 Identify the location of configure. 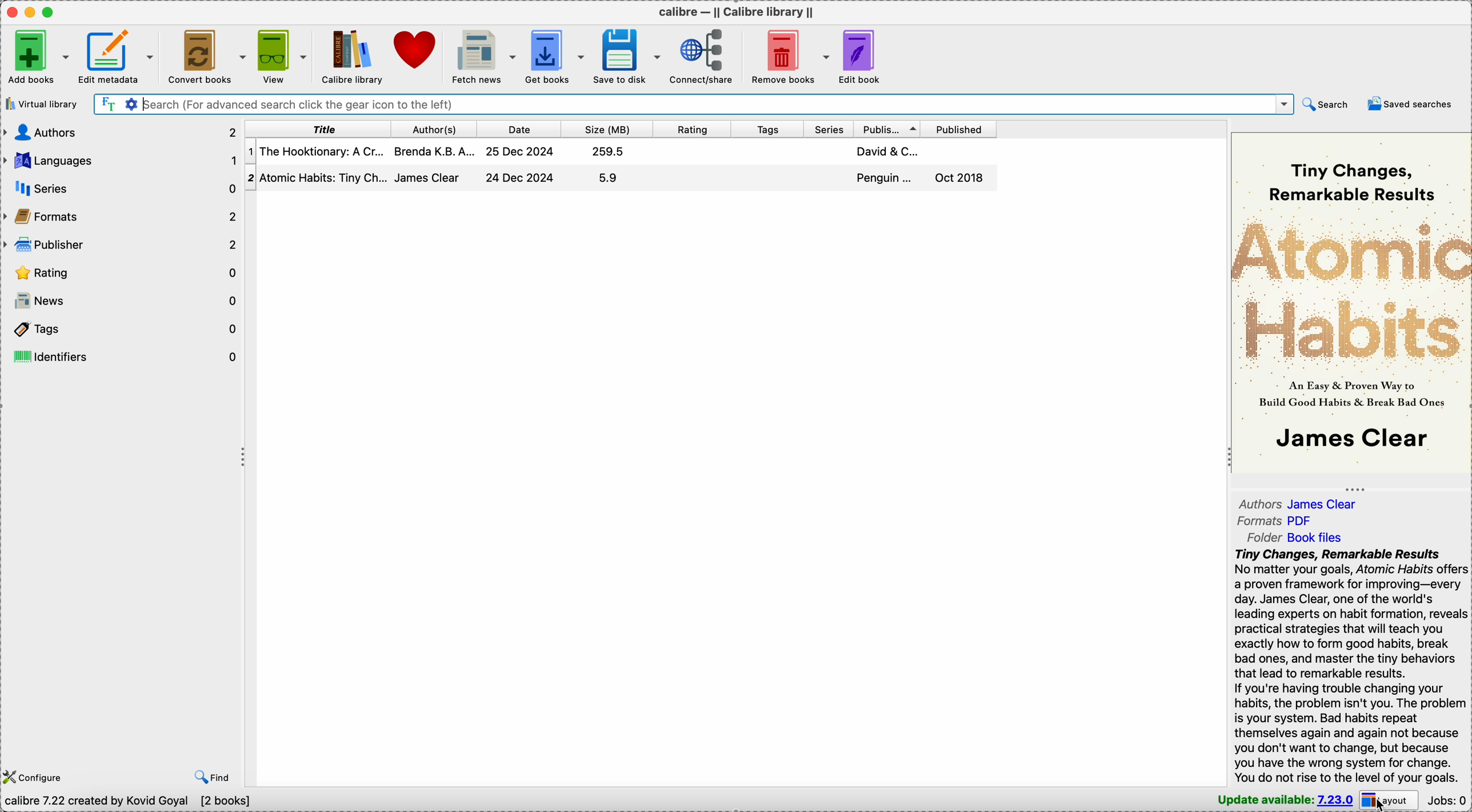
(39, 778).